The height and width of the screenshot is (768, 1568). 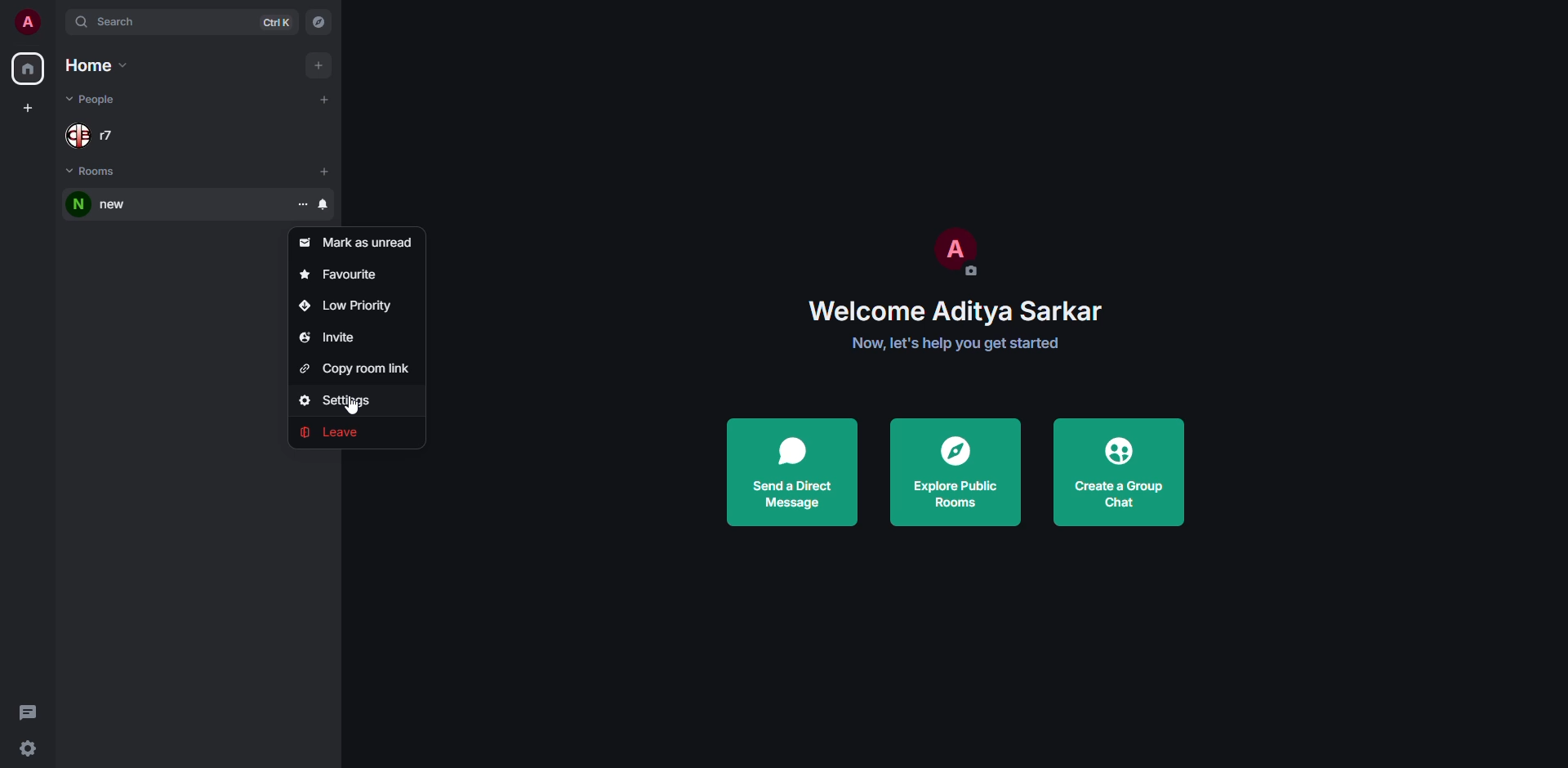 I want to click on explore public rooms, so click(x=954, y=473).